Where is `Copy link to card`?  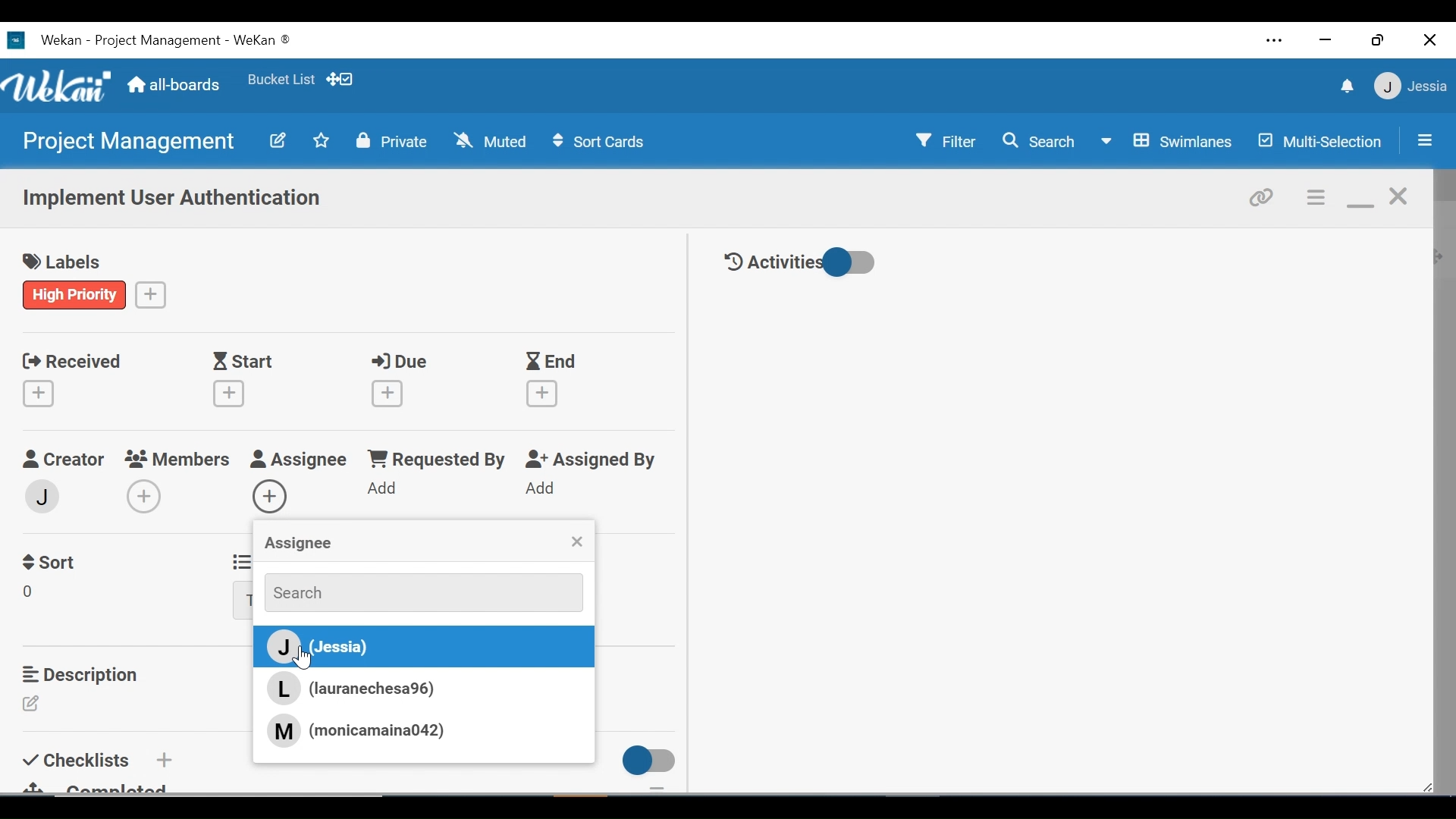
Copy link to card is located at coordinates (1263, 196).